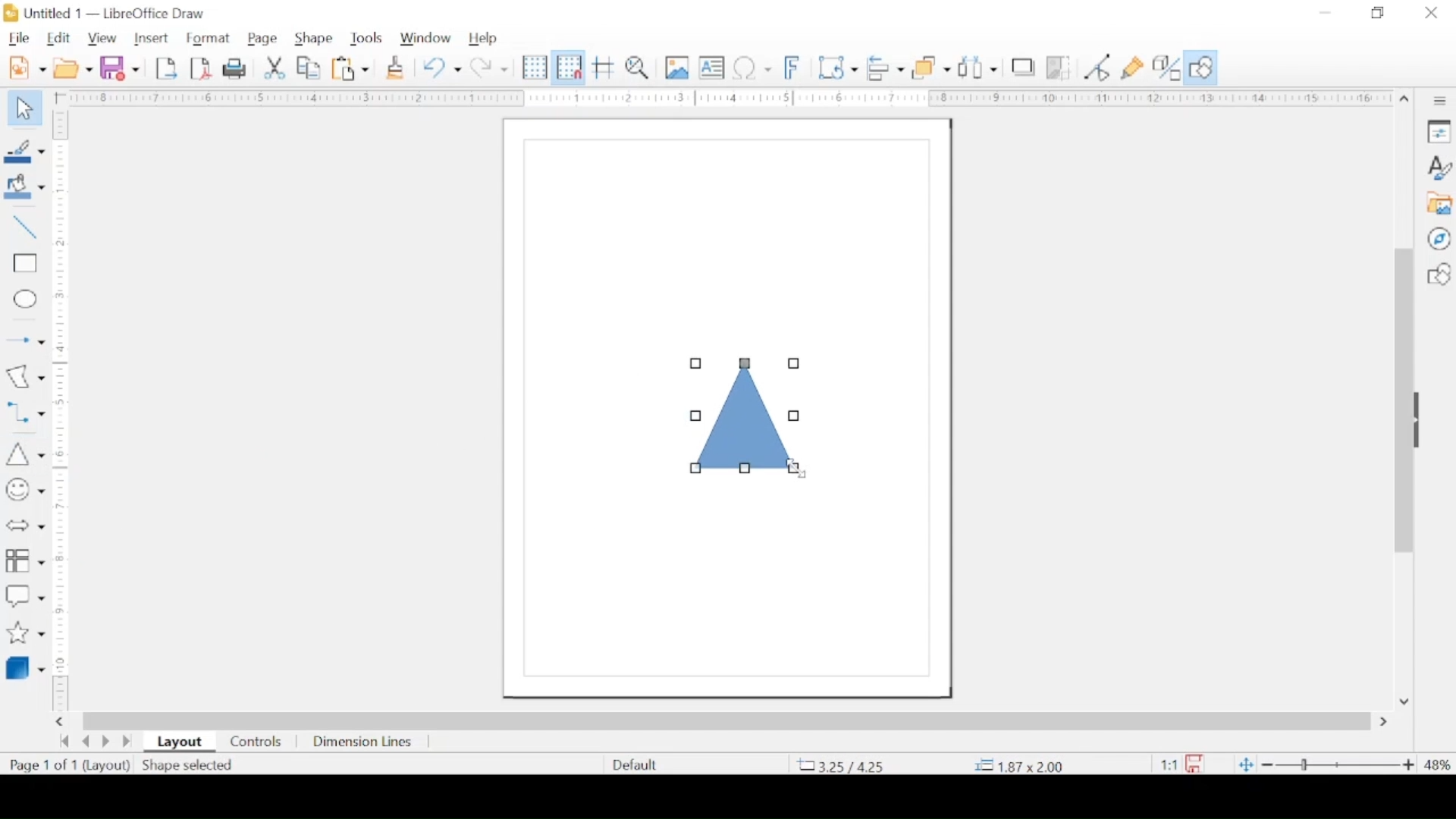  Describe the element at coordinates (25, 376) in the screenshot. I see `insert curves and polygons` at that location.